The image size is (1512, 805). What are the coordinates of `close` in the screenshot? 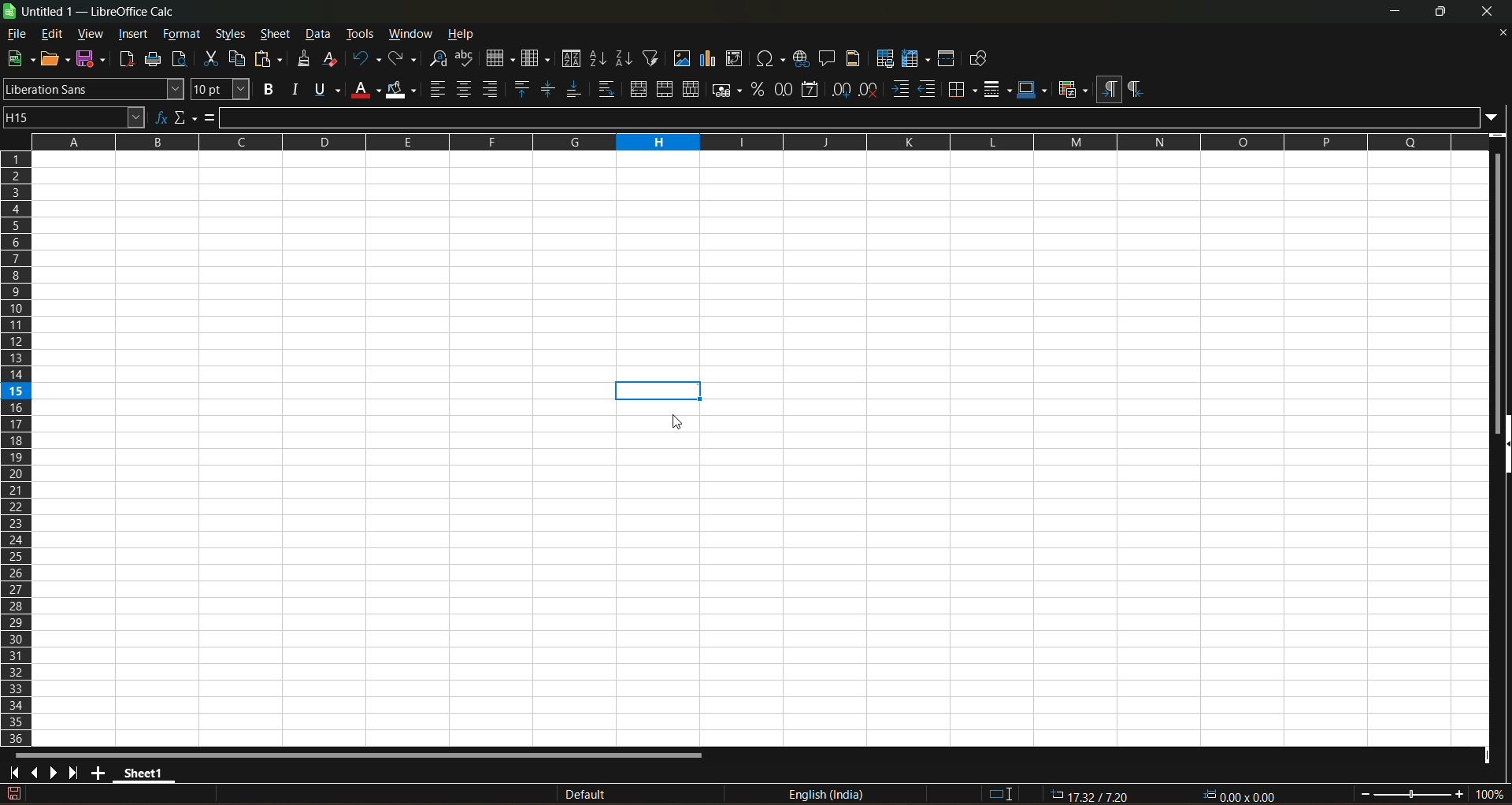 It's located at (1488, 13).